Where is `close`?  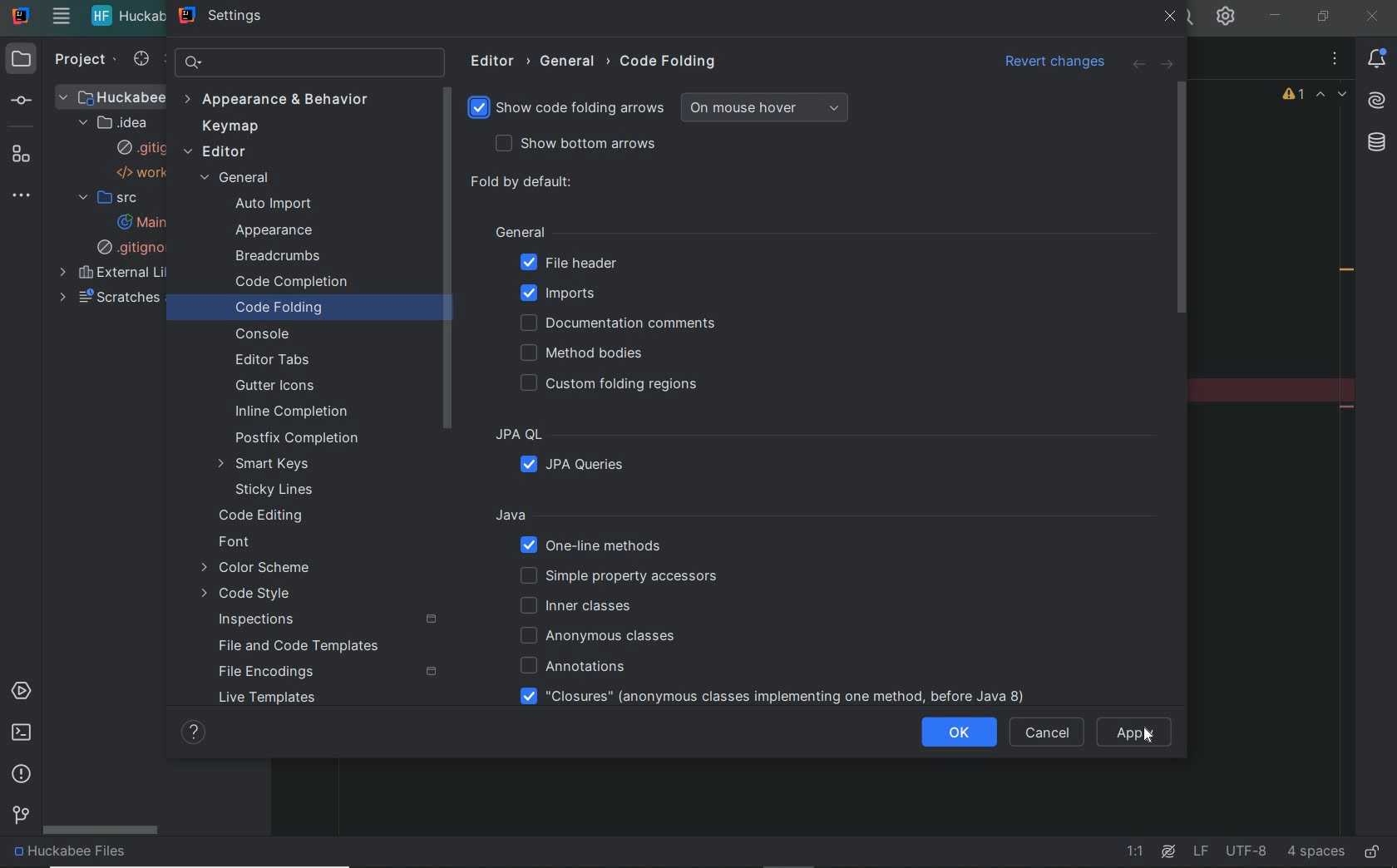 close is located at coordinates (1172, 17).